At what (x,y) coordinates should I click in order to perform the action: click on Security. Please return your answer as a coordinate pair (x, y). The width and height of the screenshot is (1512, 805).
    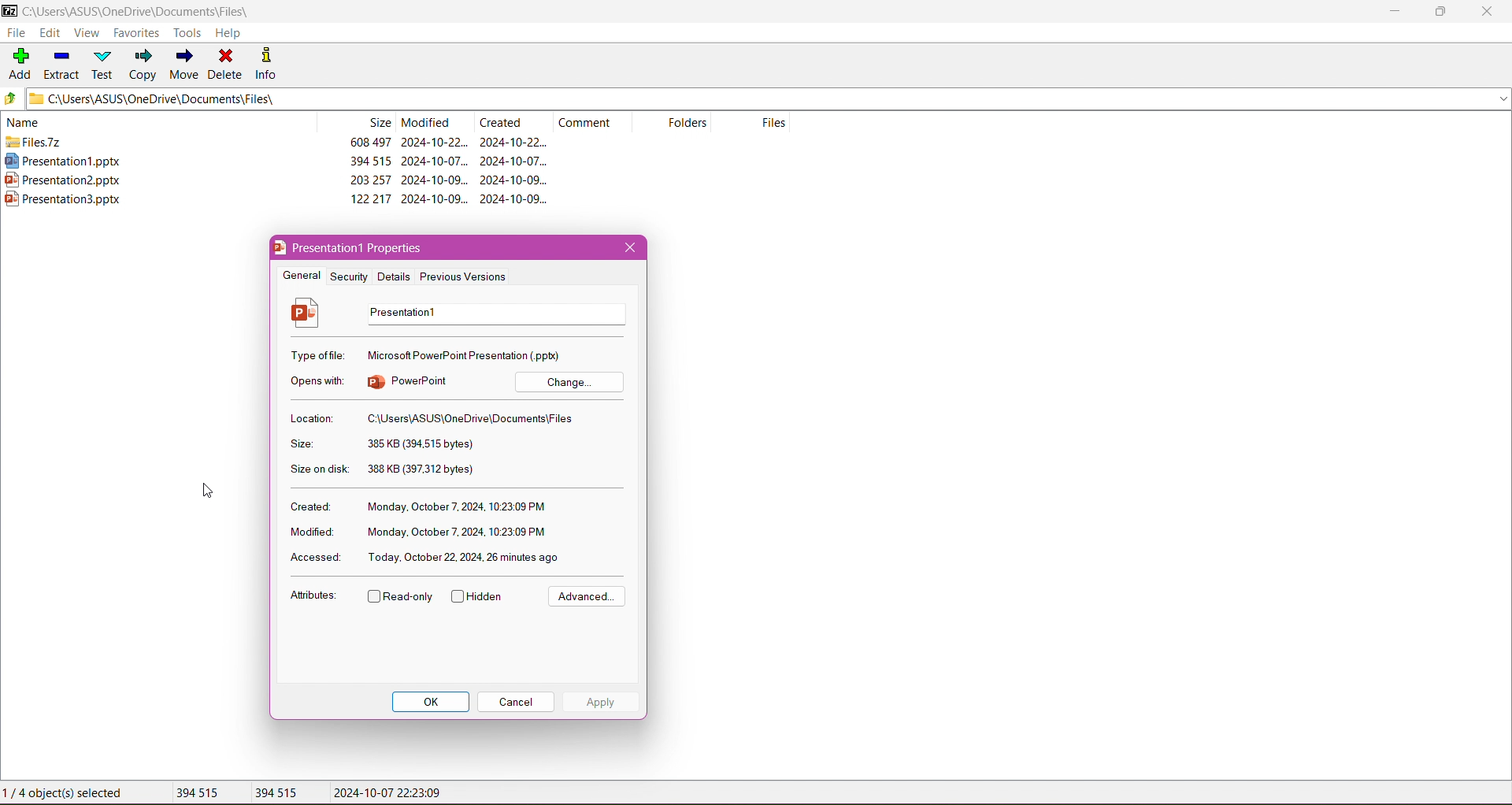
    Looking at the image, I should click on (350, 276).